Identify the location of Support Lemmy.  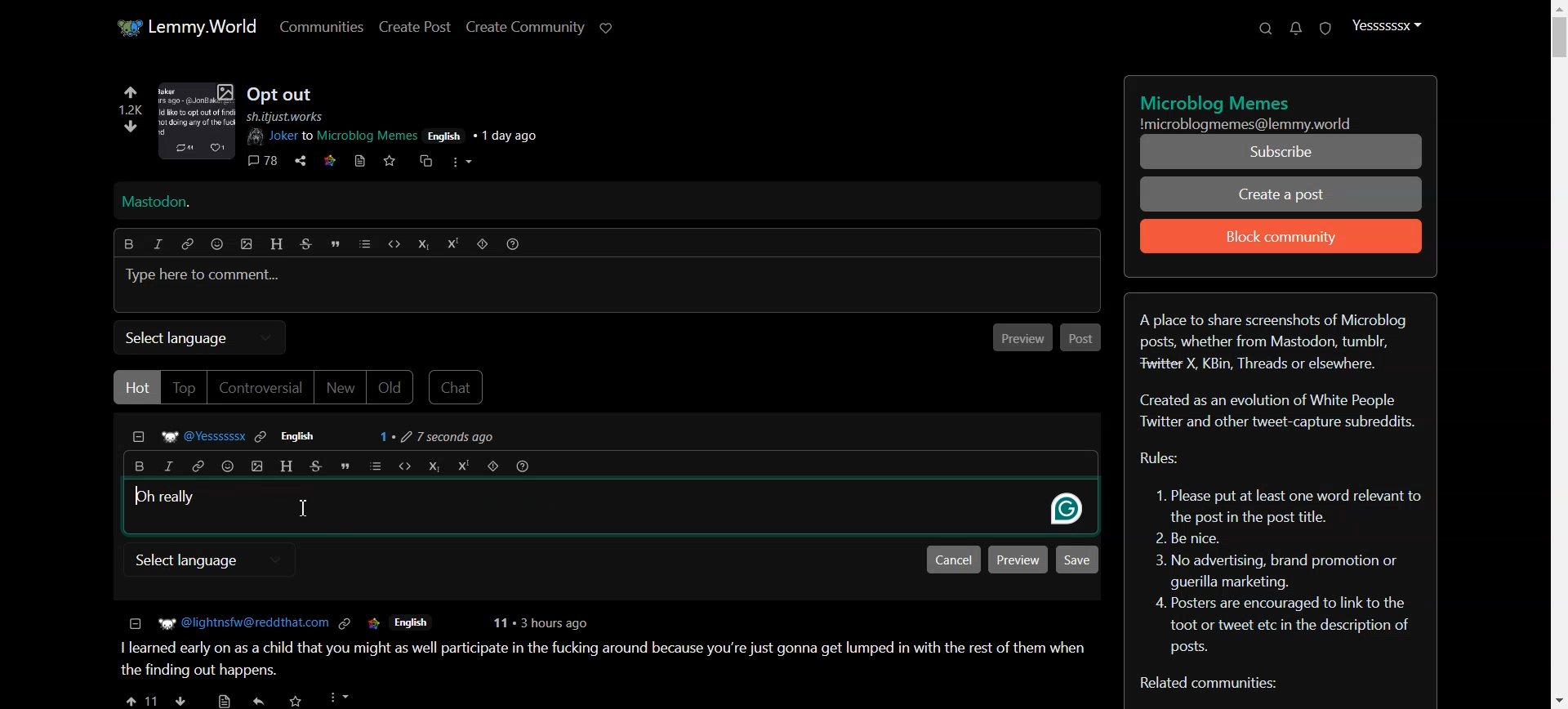
(608, 29).